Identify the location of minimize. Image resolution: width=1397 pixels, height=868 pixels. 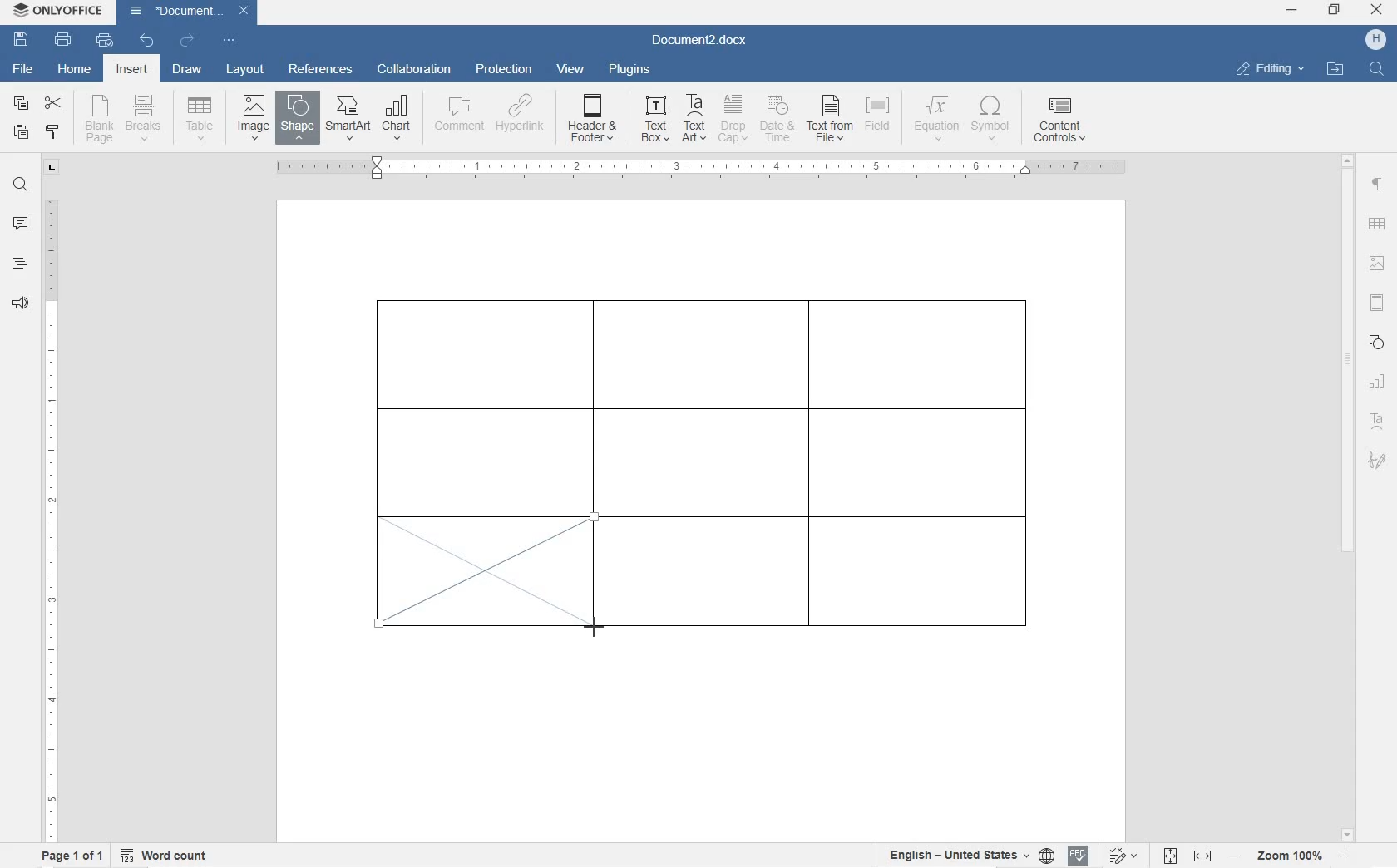
(1291, 10).